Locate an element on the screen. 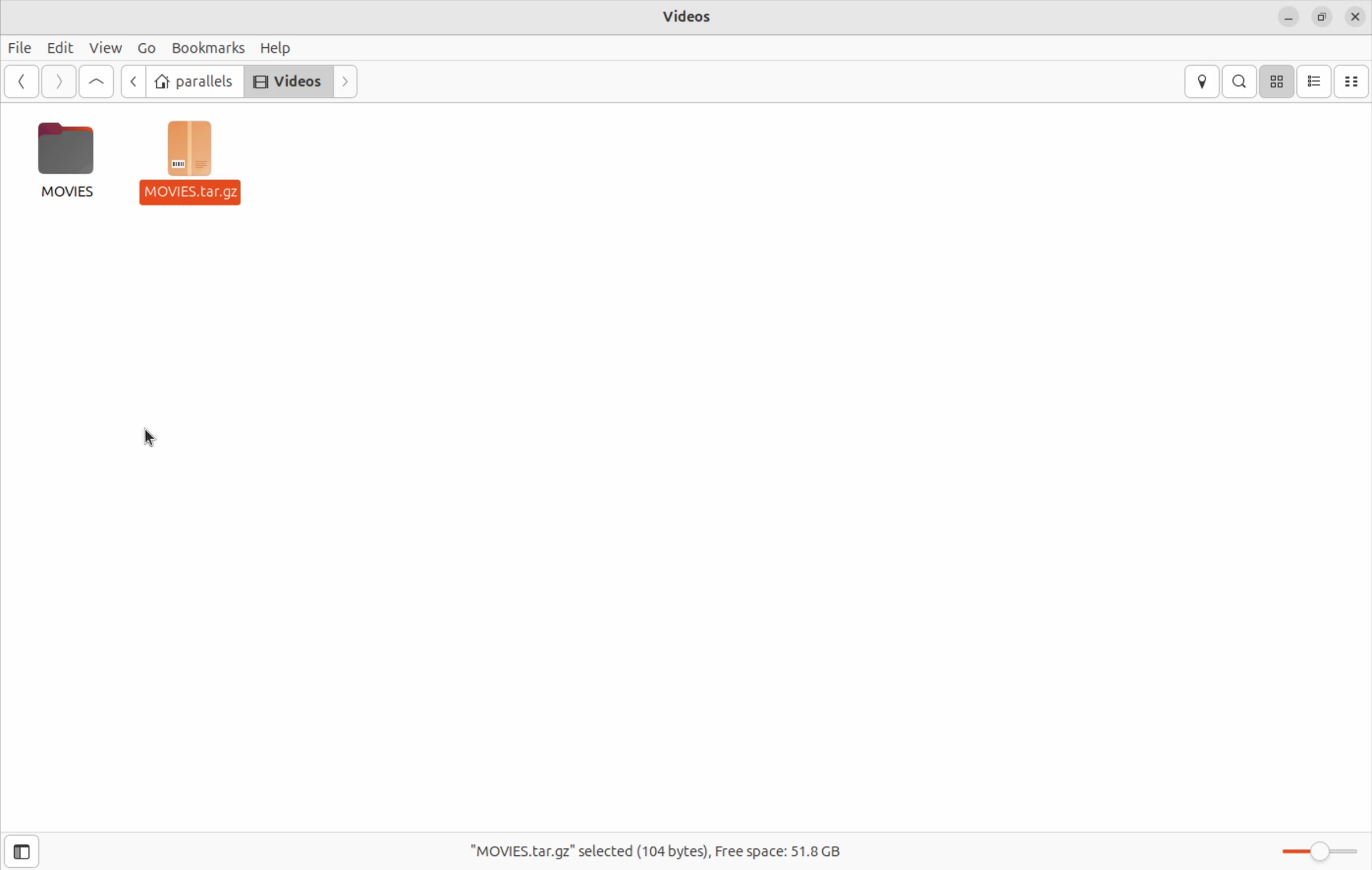 The height and width of the screenshot is (870, 1372). view is located at coordinates (104, 48).